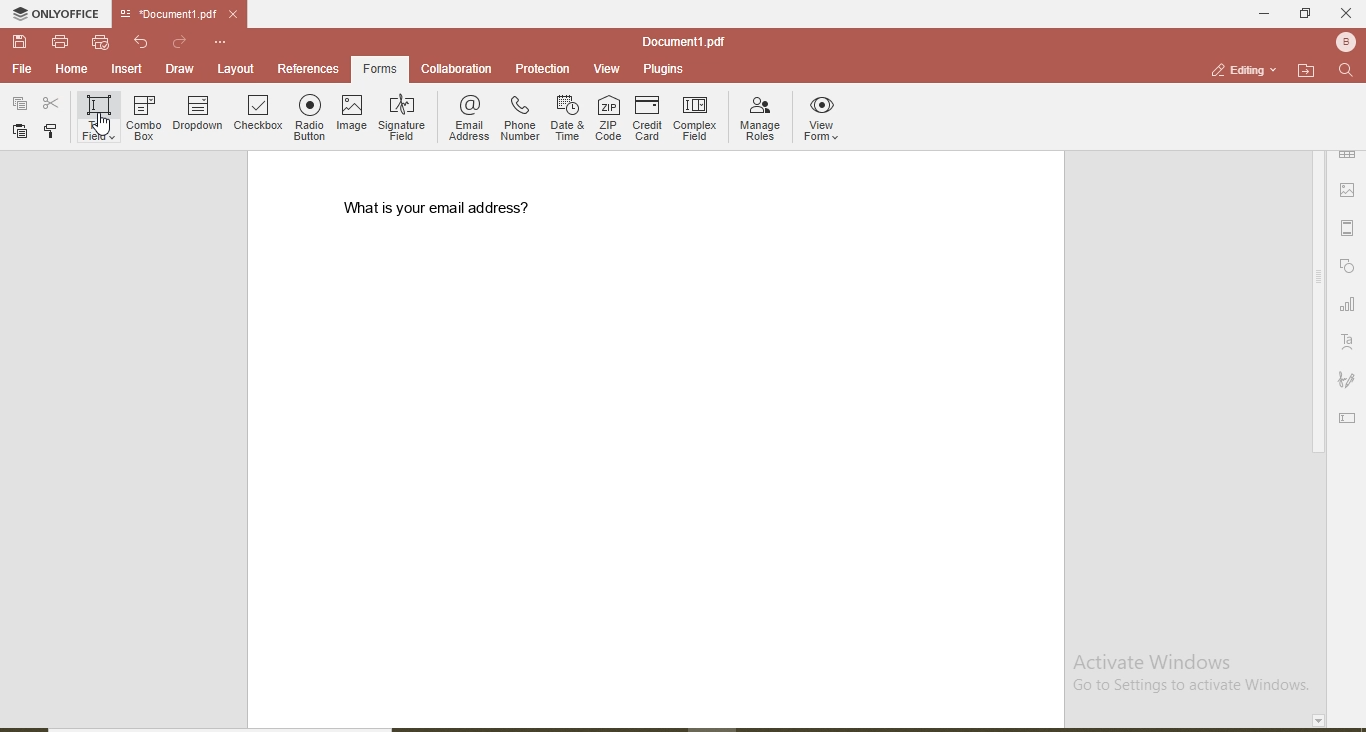 Image resolution: width=1366 pixels, height=732 pixels. I want to click on onlyoffice, so click(59, 16).